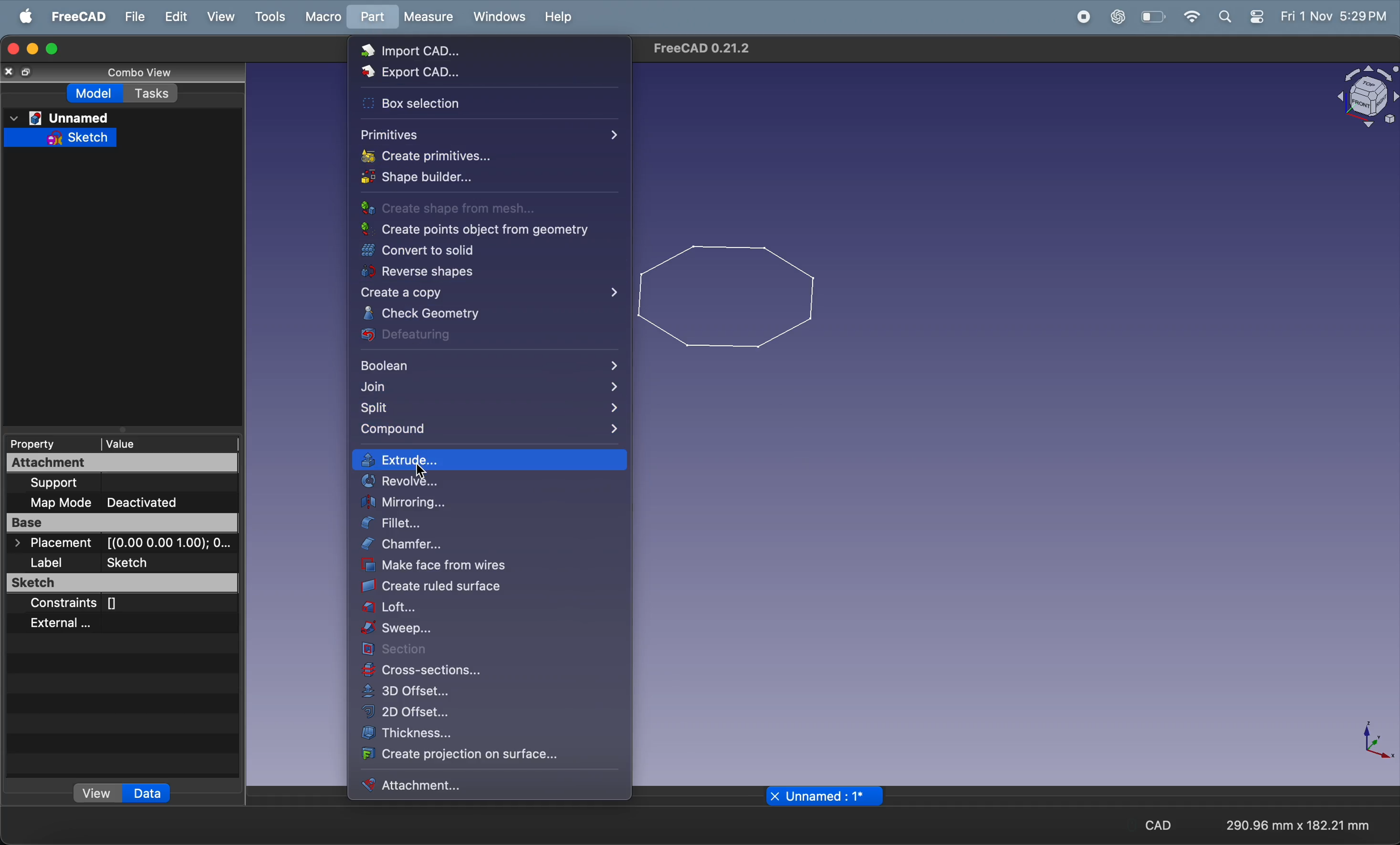 Image resolution: width=1400 pixels, height=845 pixels. Describe the element at coordinates (53, 47) in the screenshot. I see `maximize` at that location.